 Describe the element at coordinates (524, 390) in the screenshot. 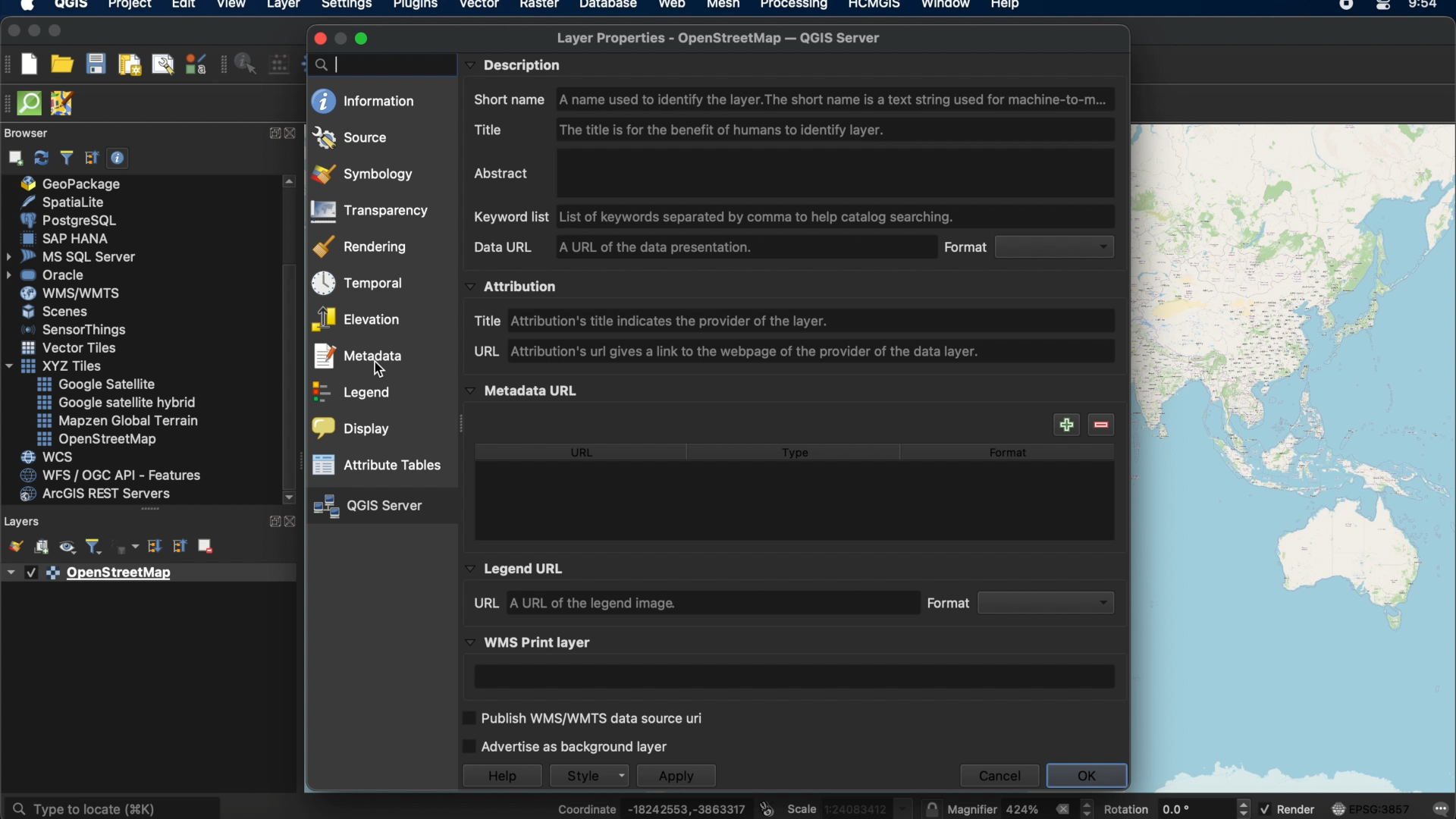

I see `metadata url` at that location.